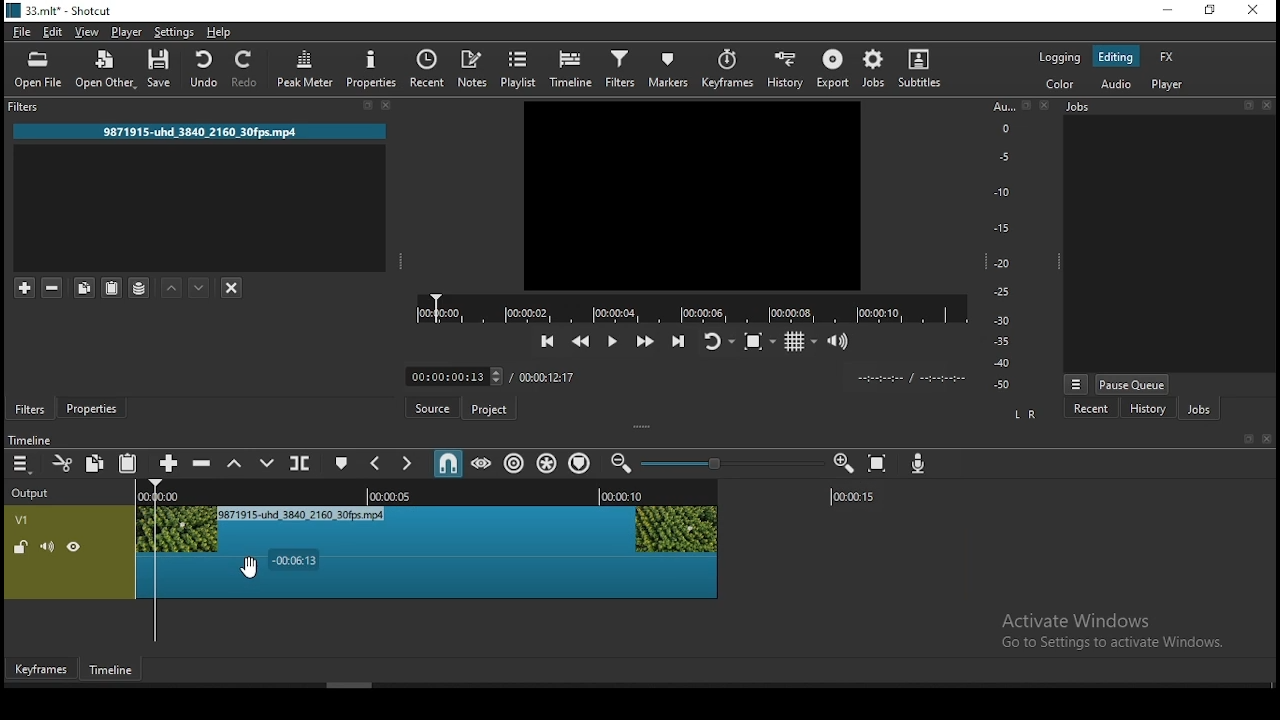  I want to click on Playback time, so click(914, 379).